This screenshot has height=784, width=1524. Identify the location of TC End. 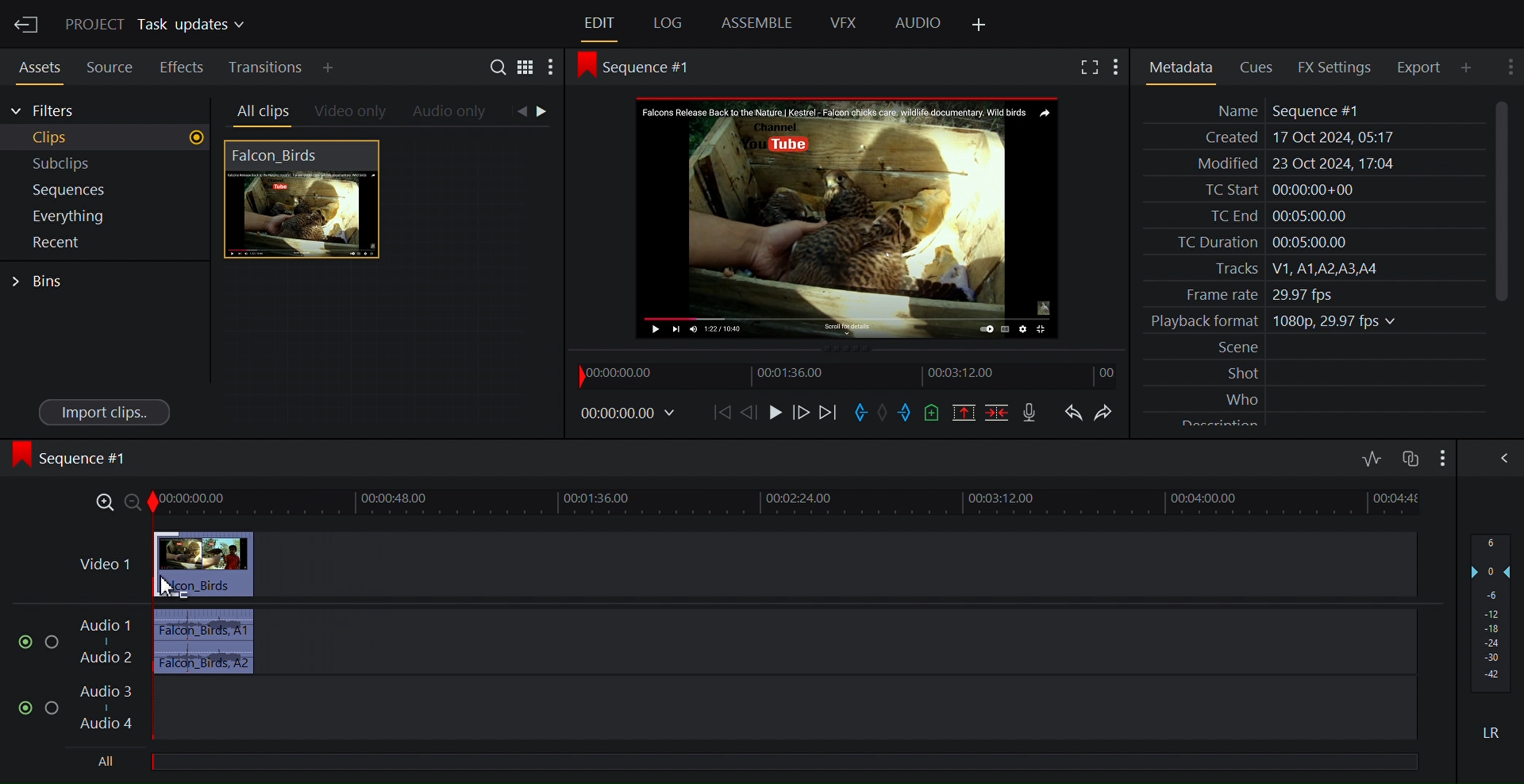
(1313, 214).